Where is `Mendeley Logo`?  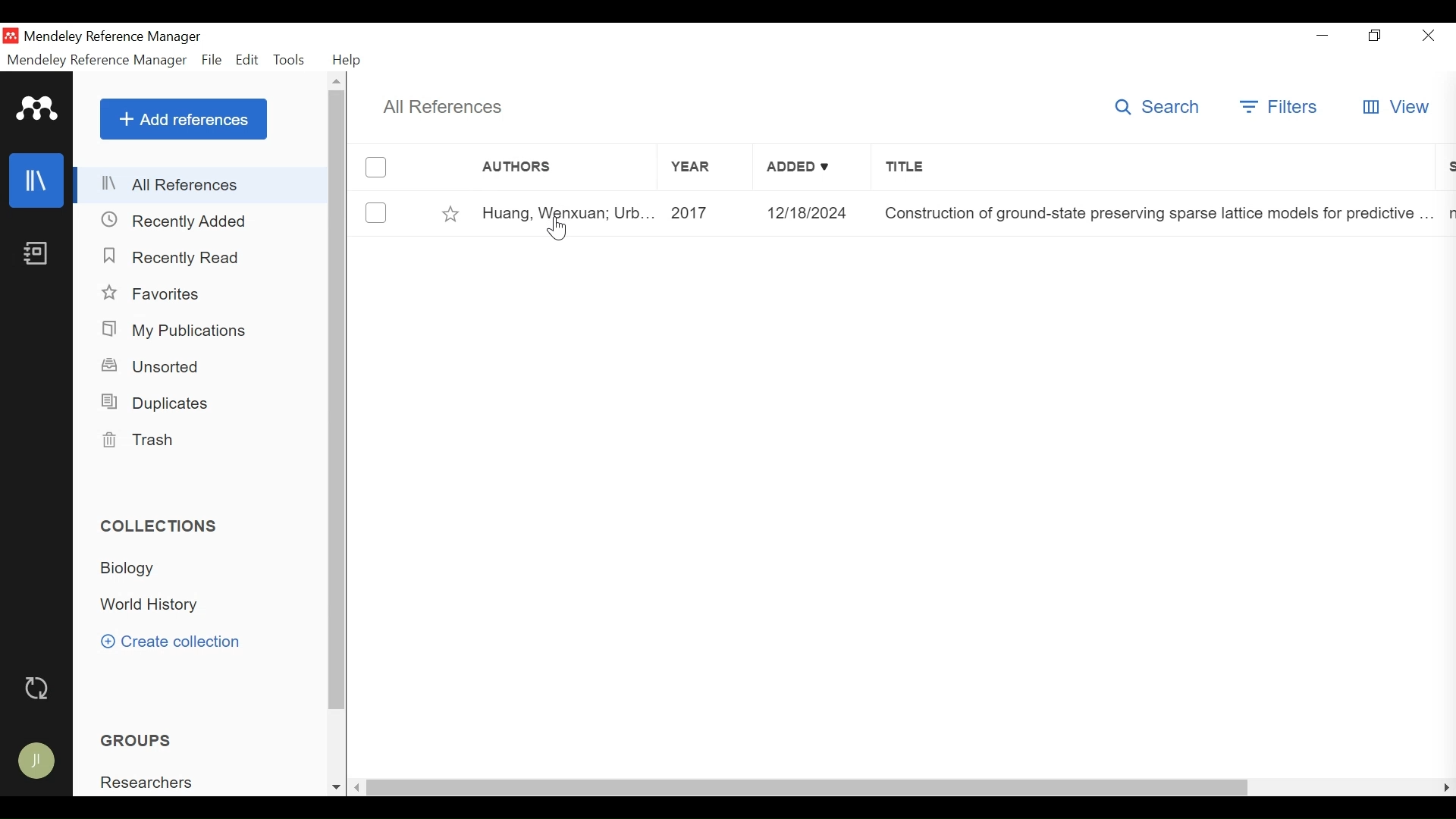 Mendeley Logo is located at coordinates (38, 108).